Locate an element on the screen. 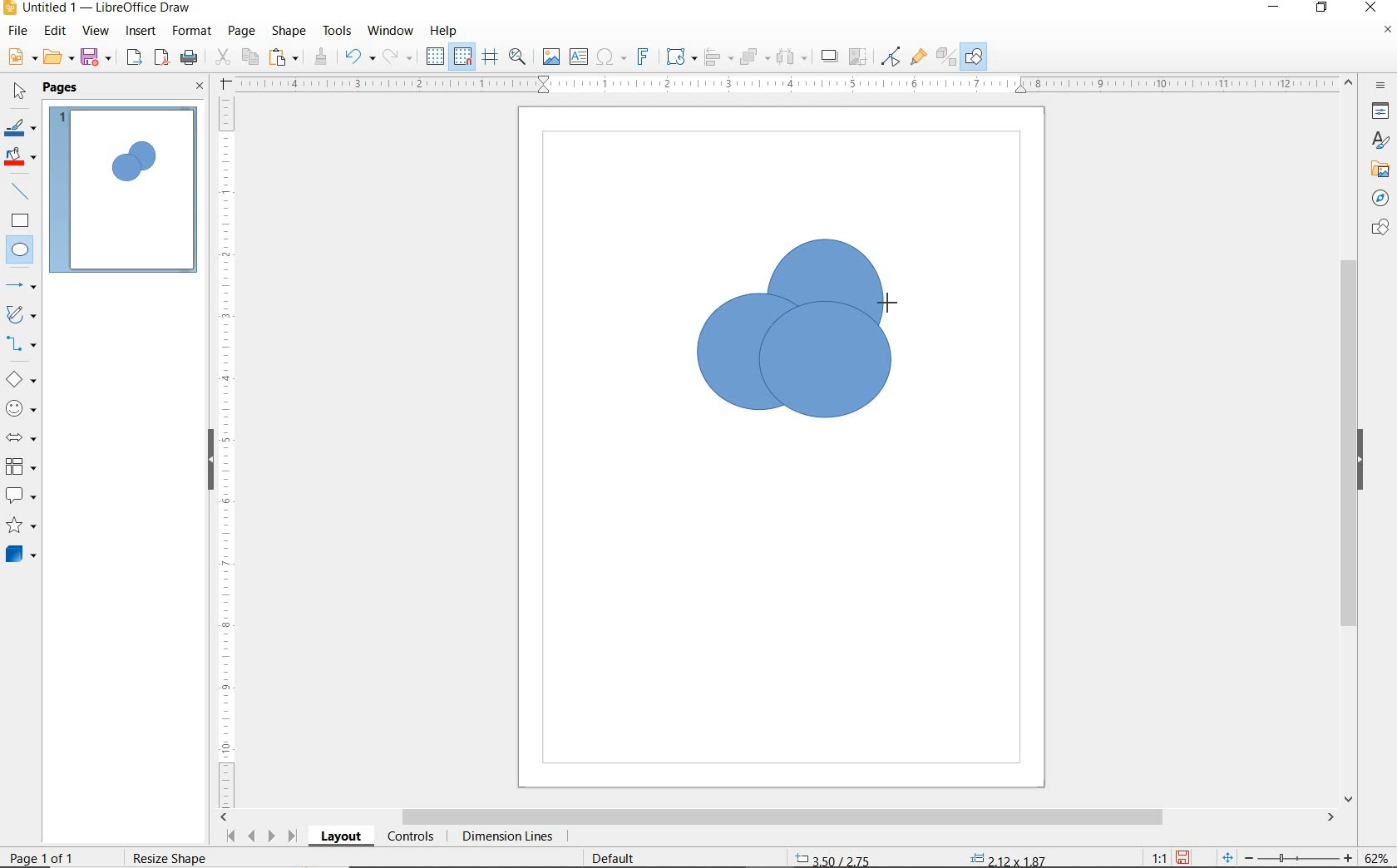 The width and height of the screenshot is (1397, 868). RESTORE DOWN is located at coordinates (1322, 8).